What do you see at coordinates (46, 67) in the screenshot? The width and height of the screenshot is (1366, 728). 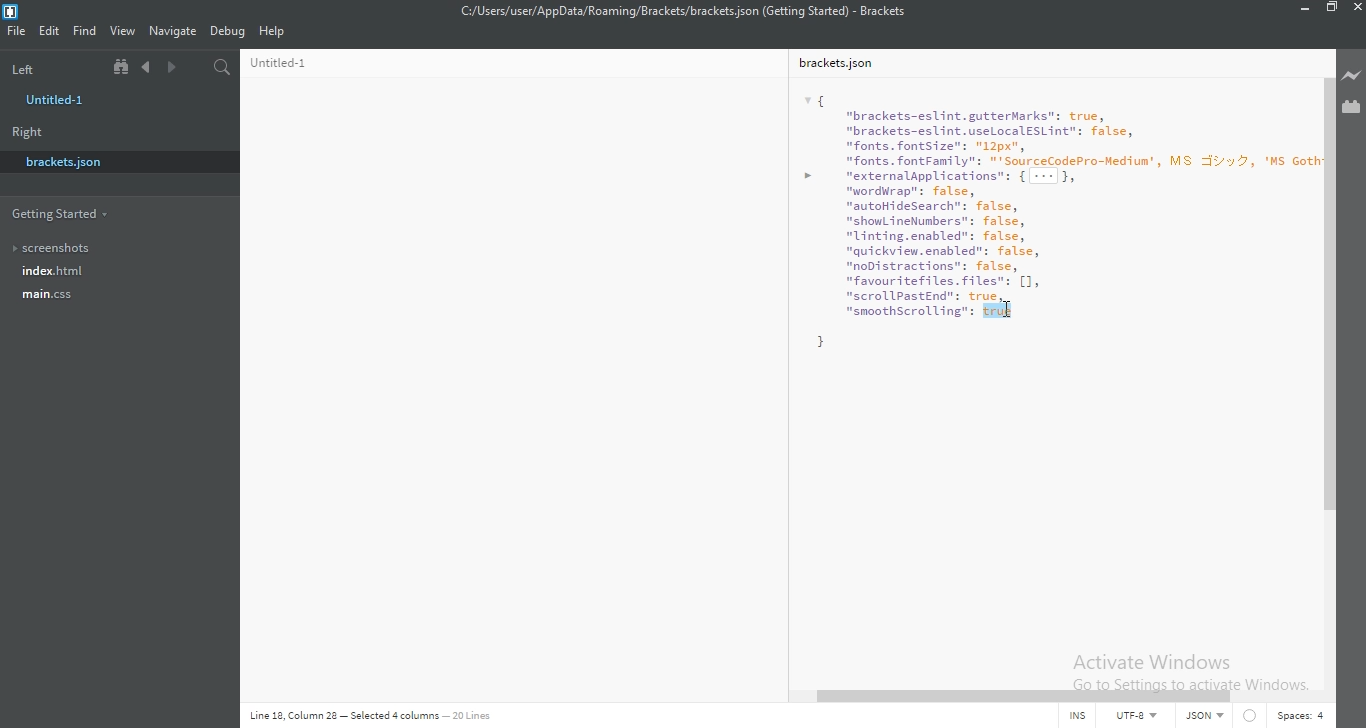 I see `Left` at bounding box center [46, 67].